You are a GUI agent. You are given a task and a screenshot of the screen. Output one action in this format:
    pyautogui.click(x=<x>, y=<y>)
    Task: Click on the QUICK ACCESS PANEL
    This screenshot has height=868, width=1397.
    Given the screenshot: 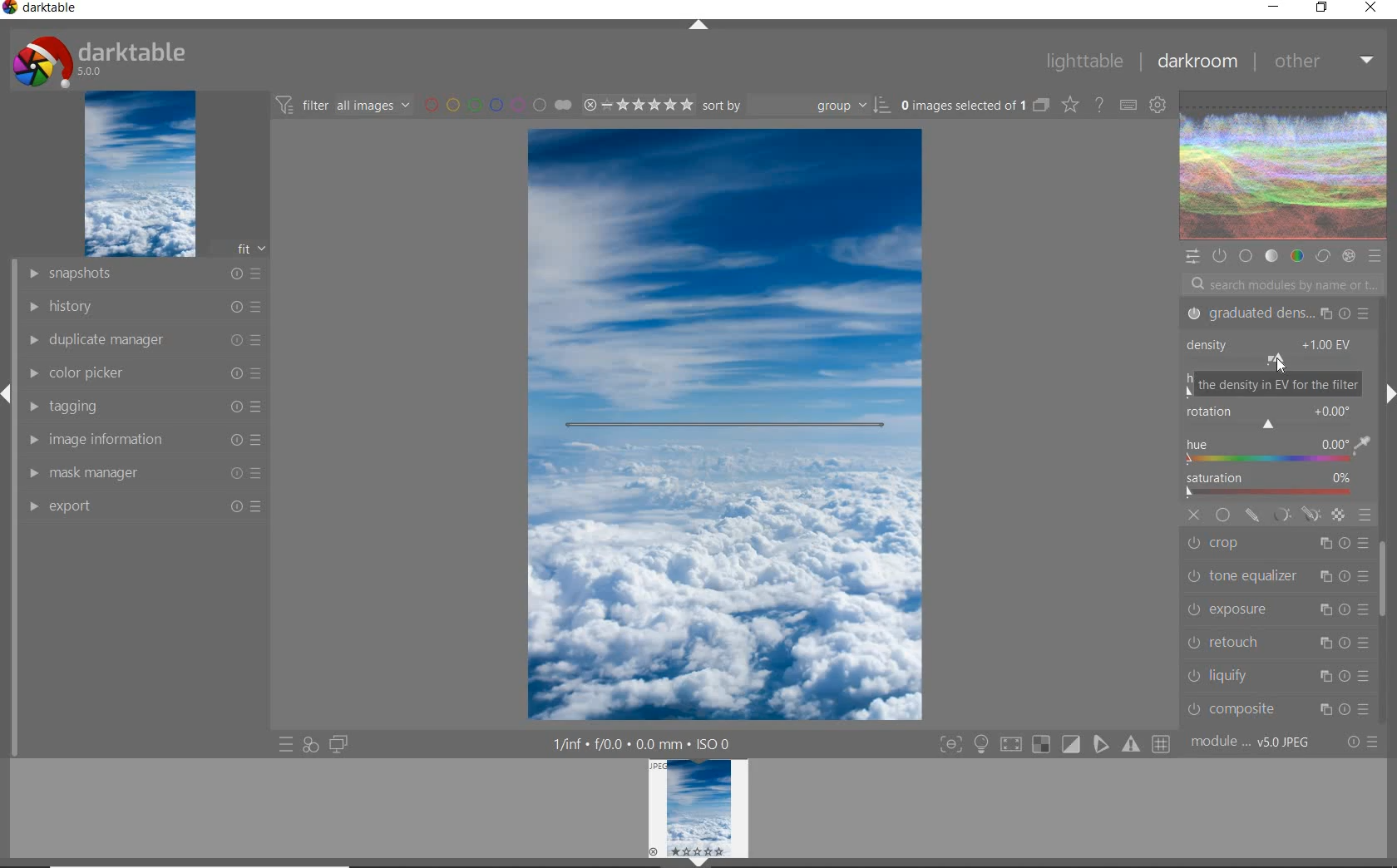 What is the action you would take?
    pyautogui.click(x=1192, y=254)
    